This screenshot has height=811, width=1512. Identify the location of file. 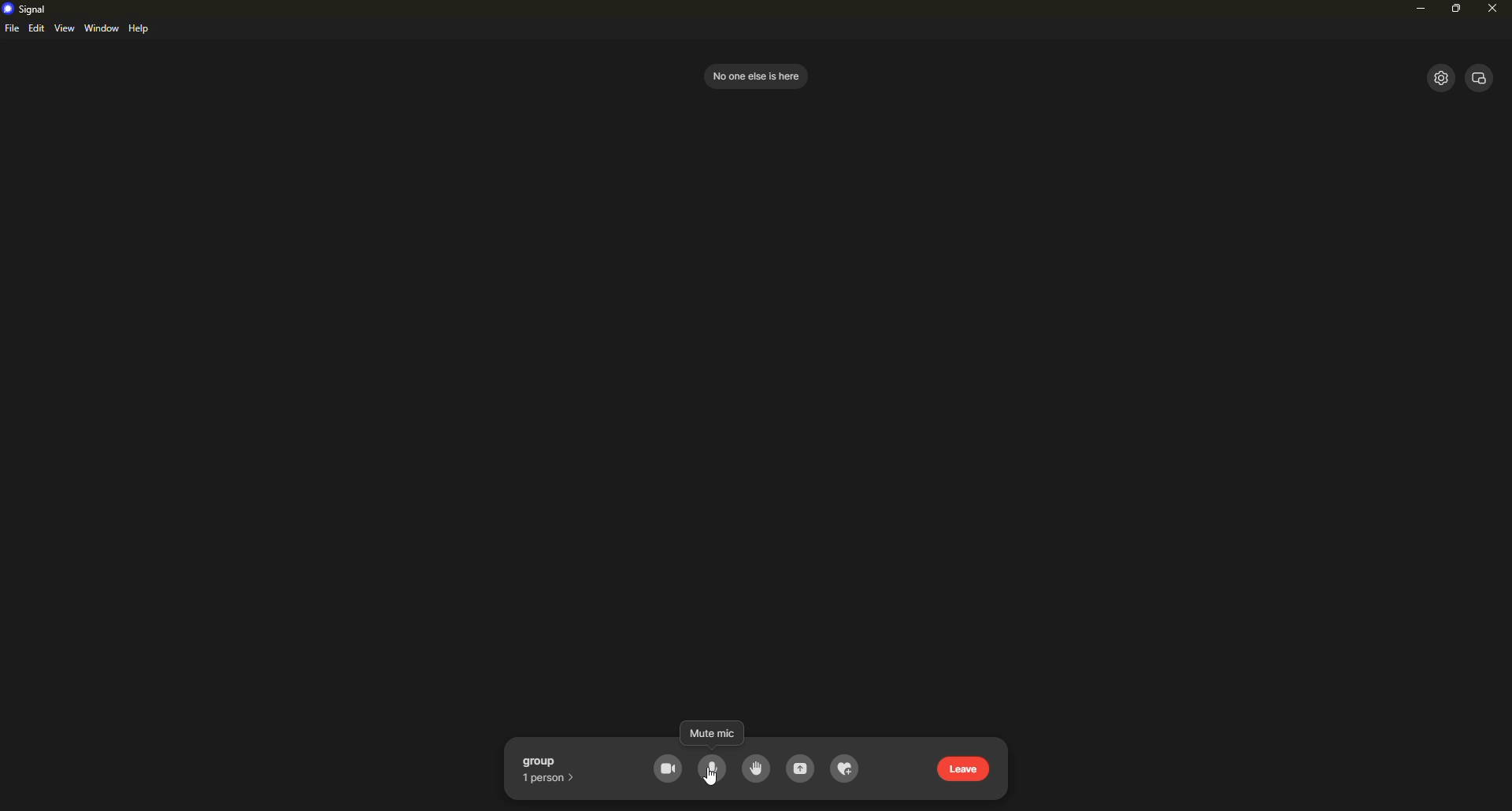
(12, 30).